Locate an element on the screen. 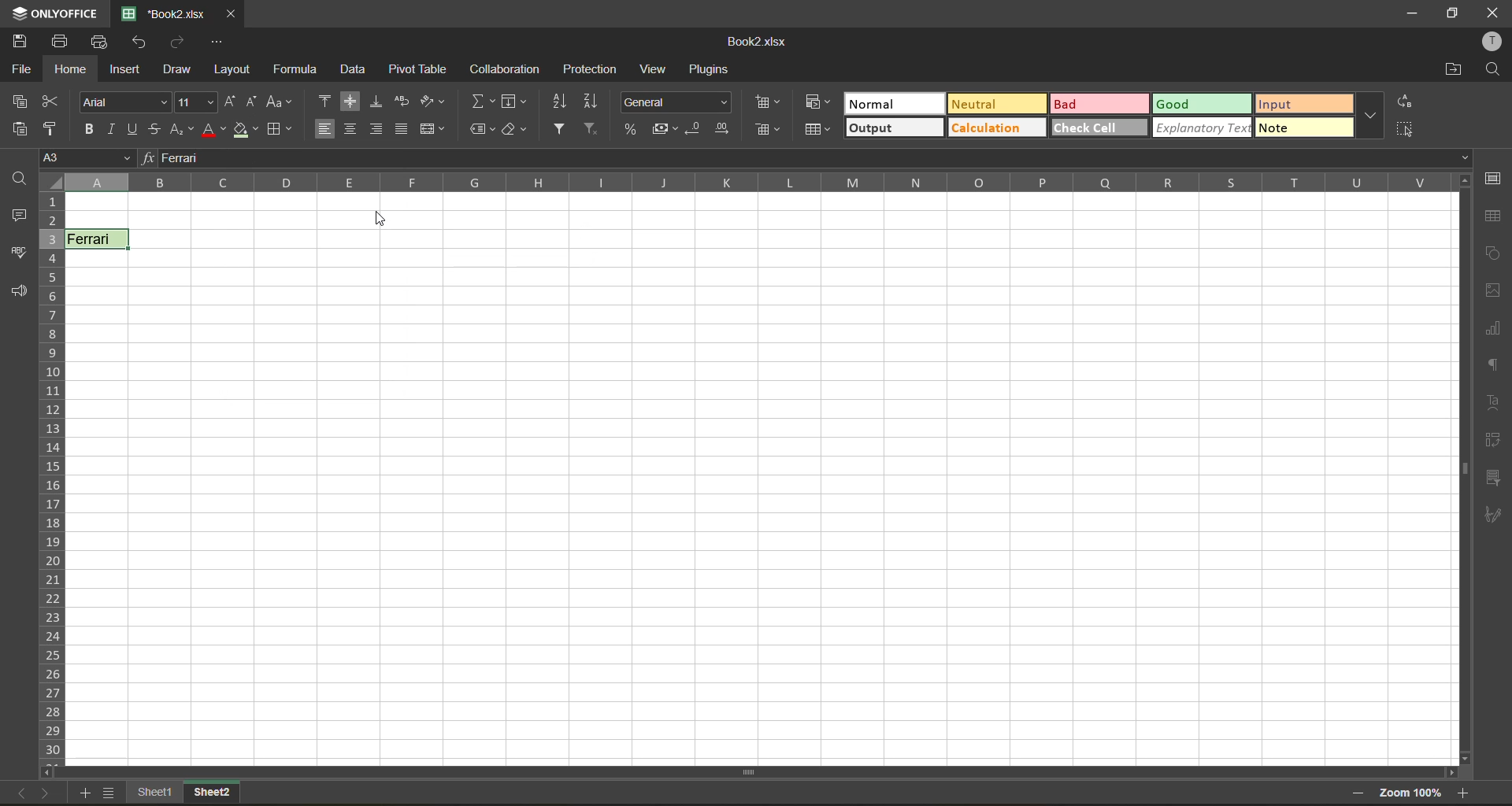 The height and width of the screenshot is (806, 1512). copy is located at coordinates (19, 102).